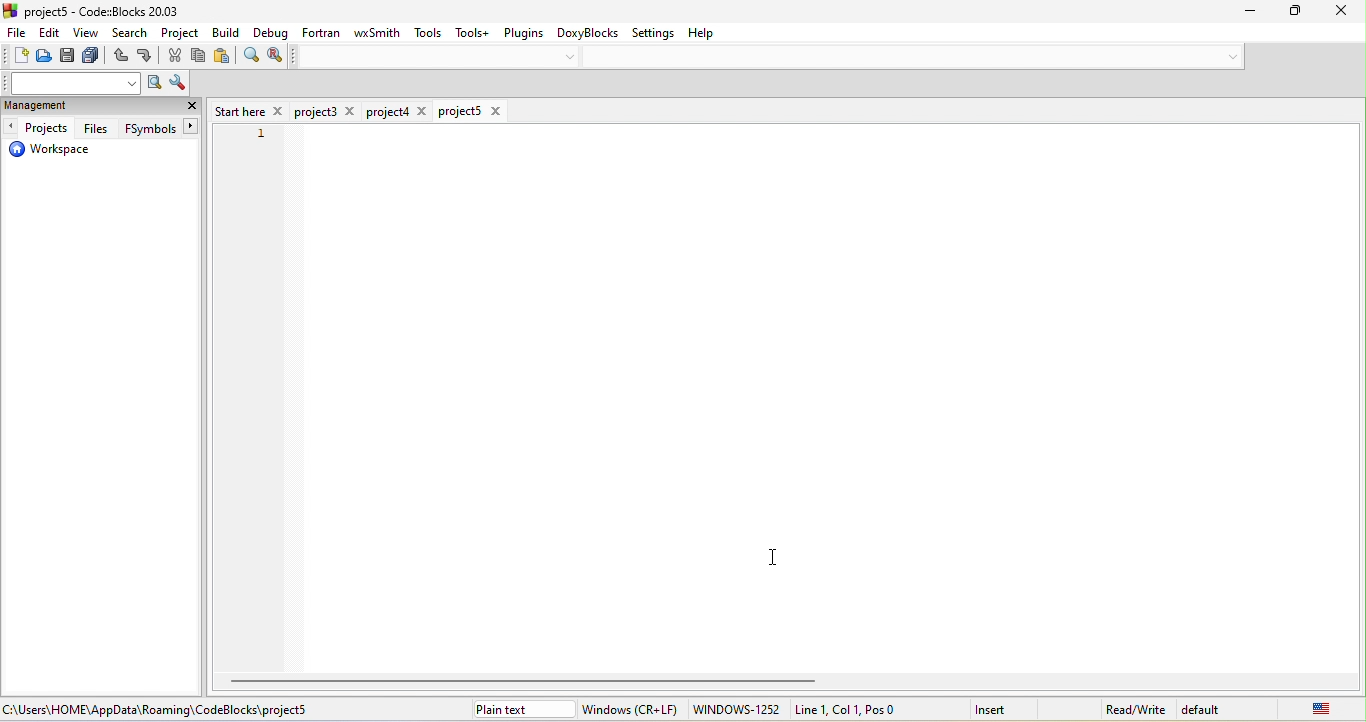  What do you see at coordinates (51, 34) in the screenshot?
I see `edit` at bounding box center [51, 34].